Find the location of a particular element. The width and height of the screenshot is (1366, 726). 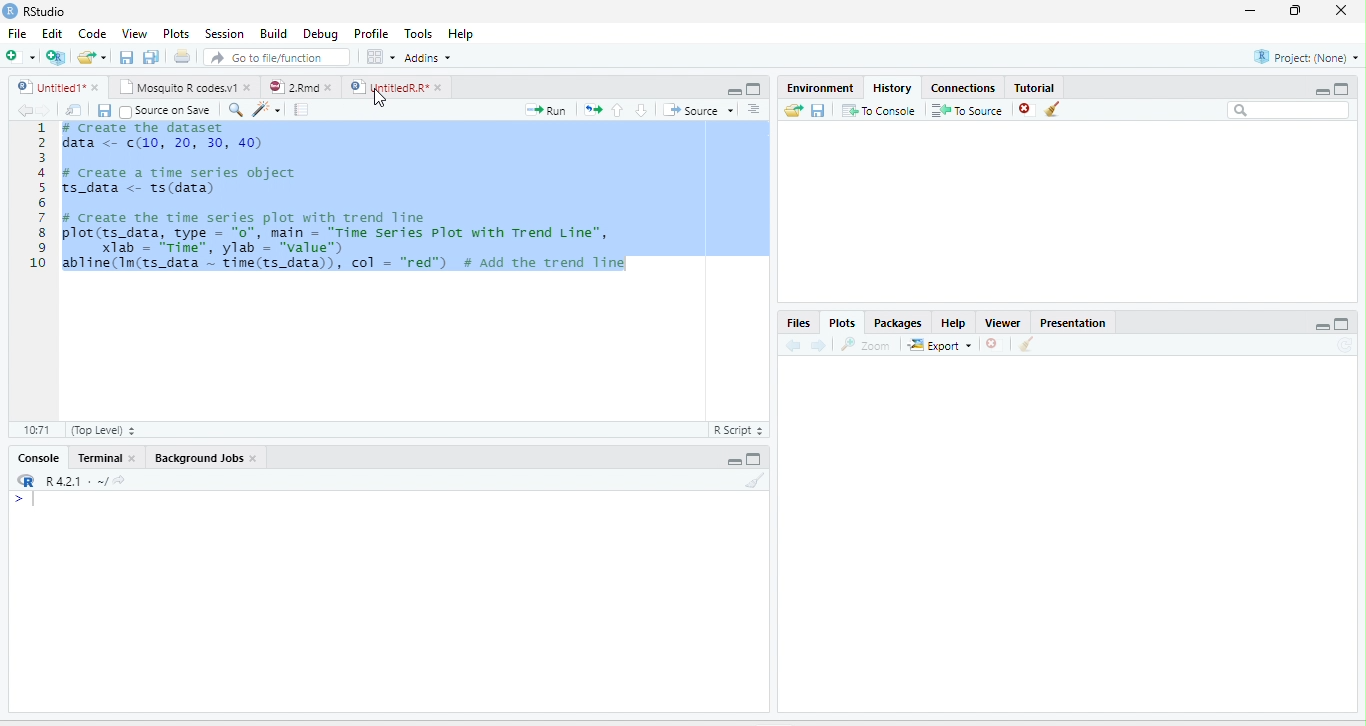

2.Rmd is located at coordinates (291, 87).